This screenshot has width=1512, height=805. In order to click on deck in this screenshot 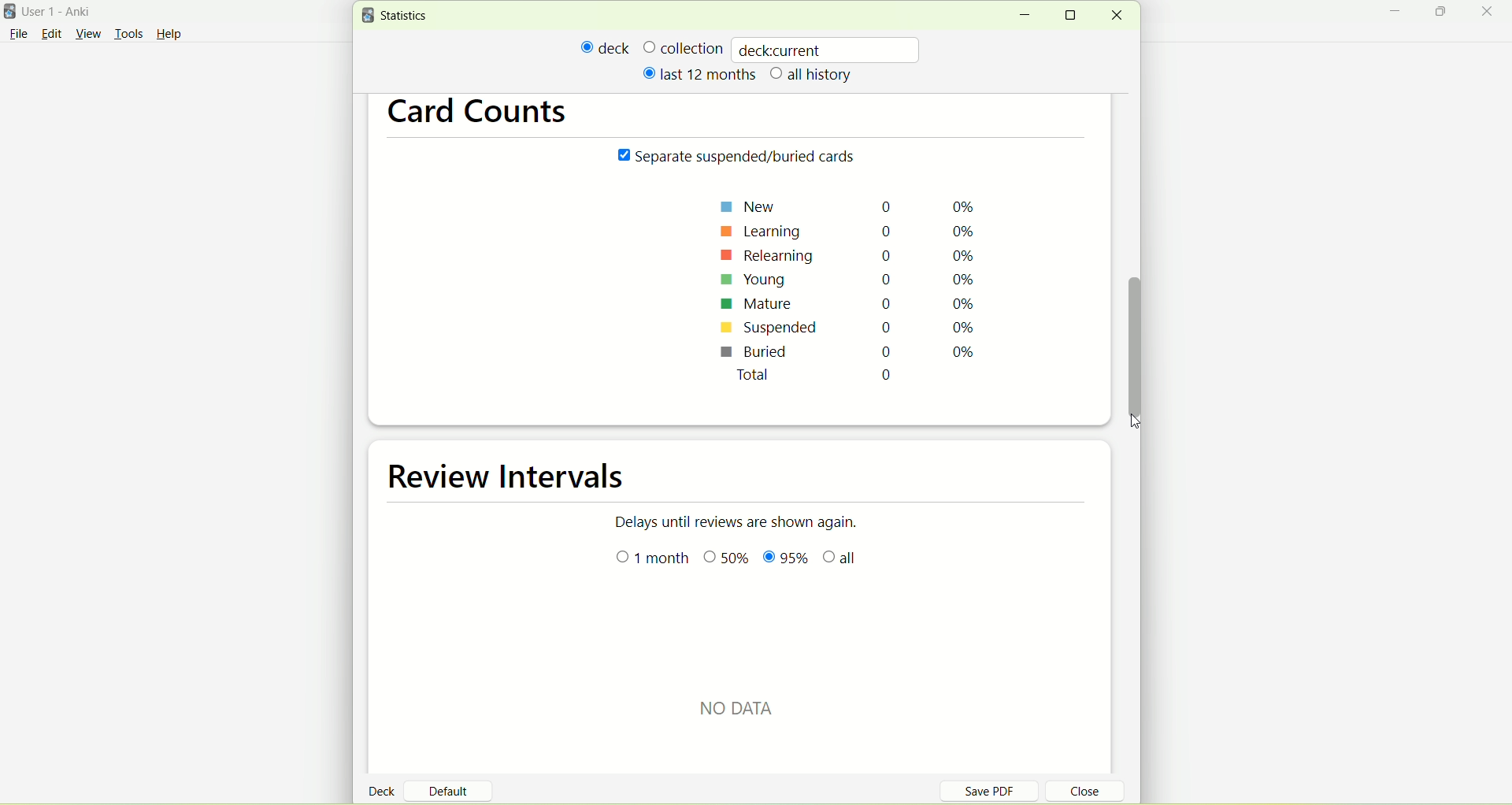, I will do `click(384, 790)`.